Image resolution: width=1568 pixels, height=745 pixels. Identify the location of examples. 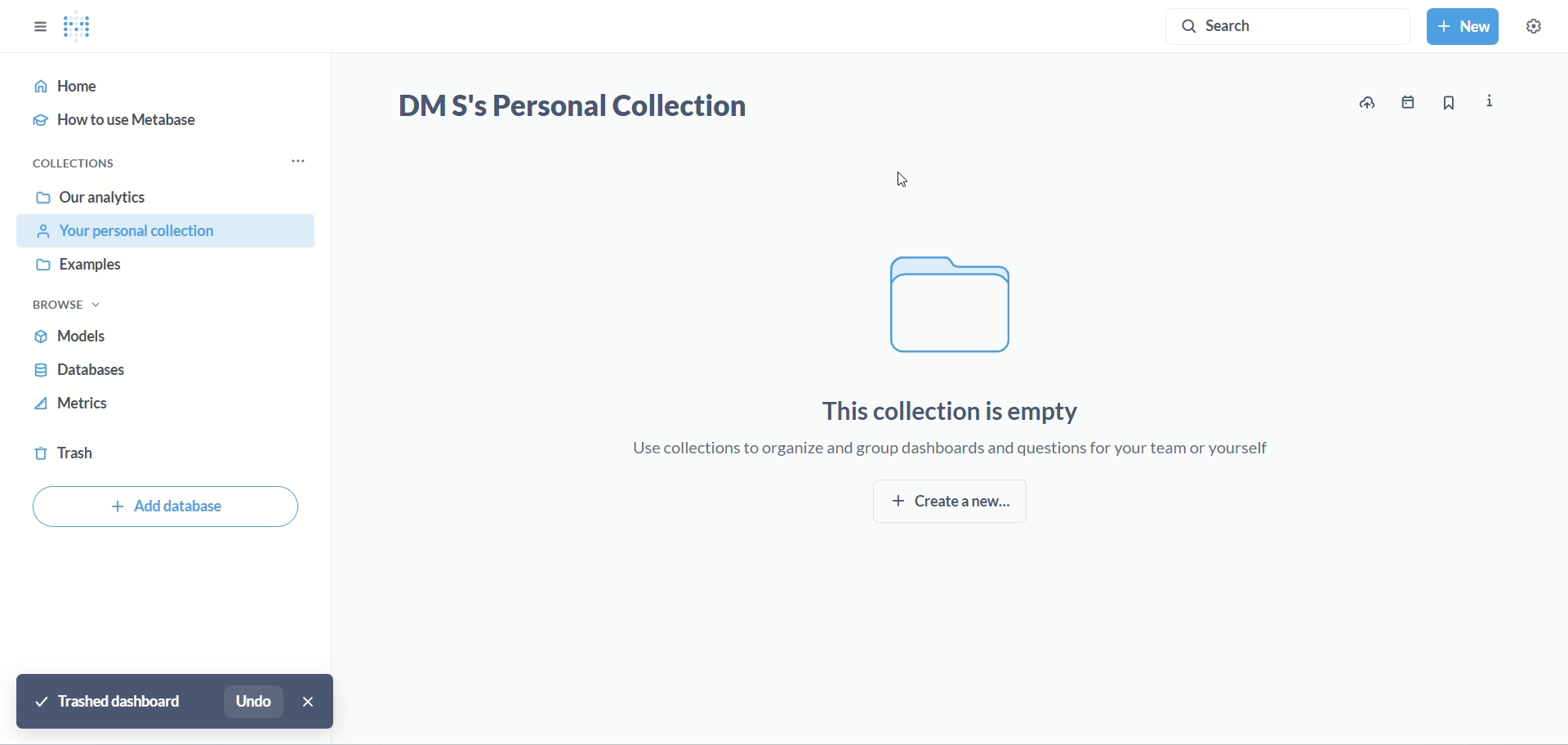
(86, 266).